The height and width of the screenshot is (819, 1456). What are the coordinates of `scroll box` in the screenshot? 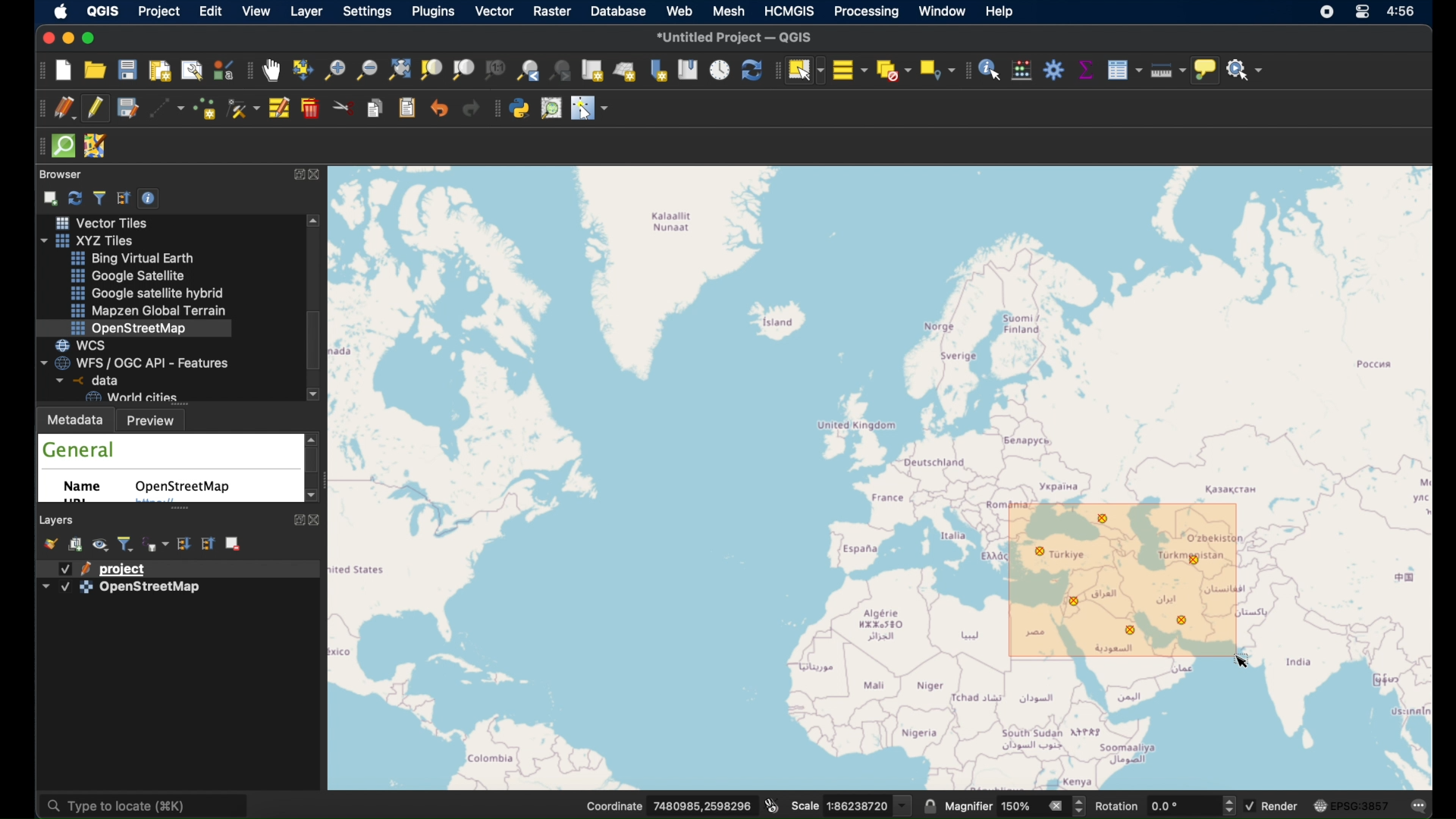 It's located at (317, 341).